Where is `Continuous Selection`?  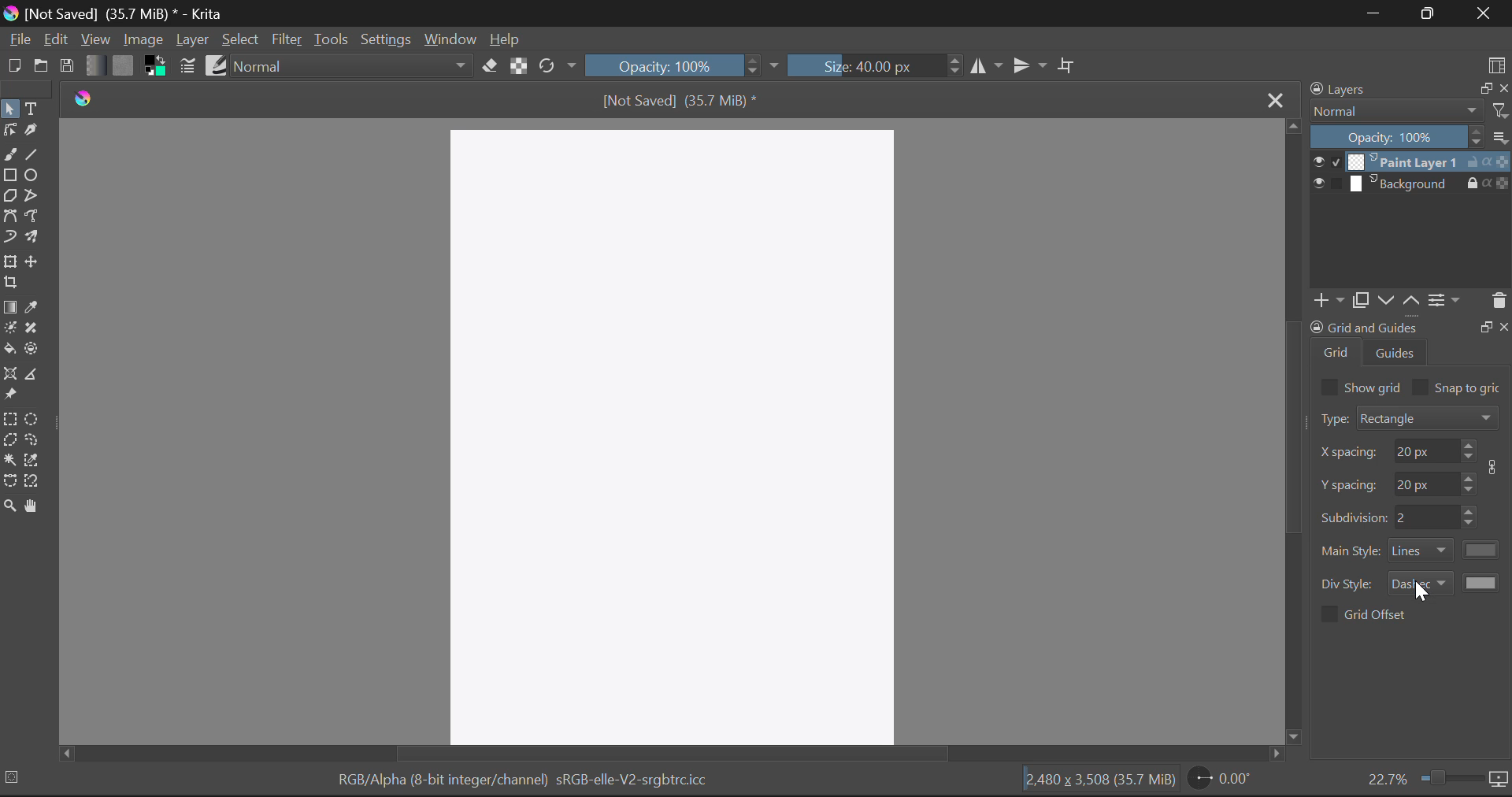
Continuous Selection is located at coordinates (9, 460).